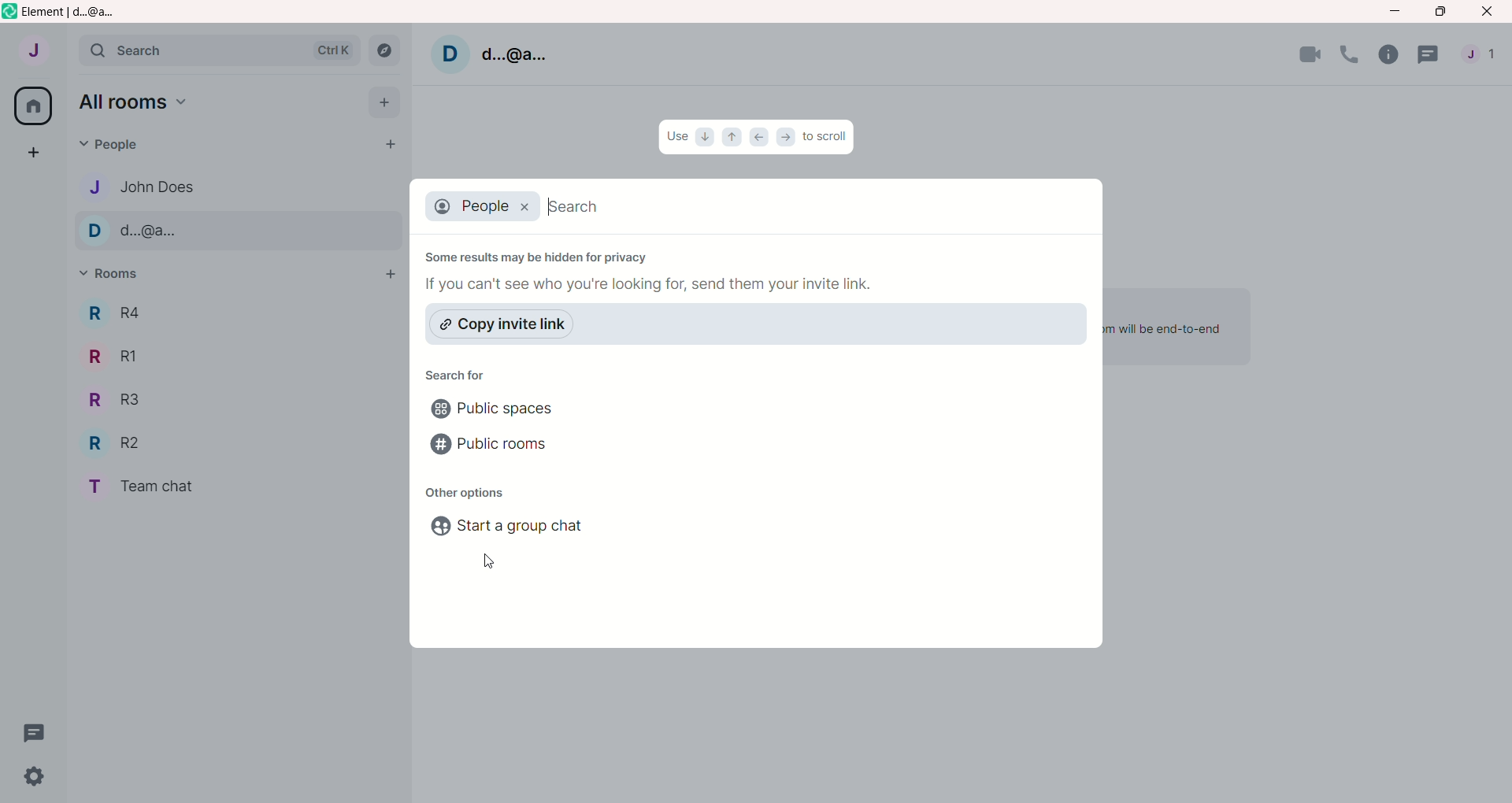  What do you see at coordinates (384, 50) in the screenshot?
I see `explore rooms` at bounding box center [384, 50].